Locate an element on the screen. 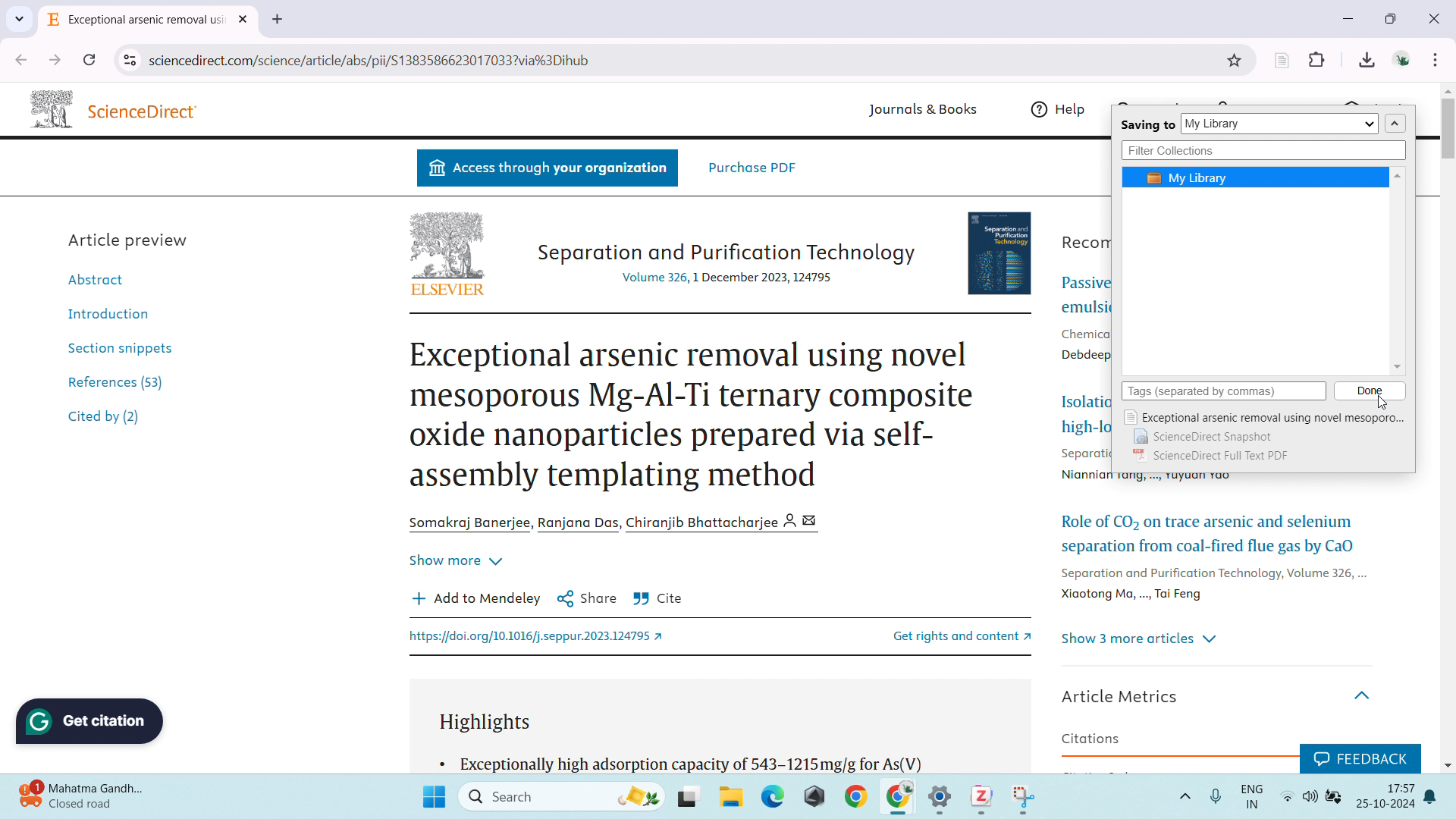 The height and width of the screenshot is (819, 1456). Section snippets is located at coordinates (120, 347).